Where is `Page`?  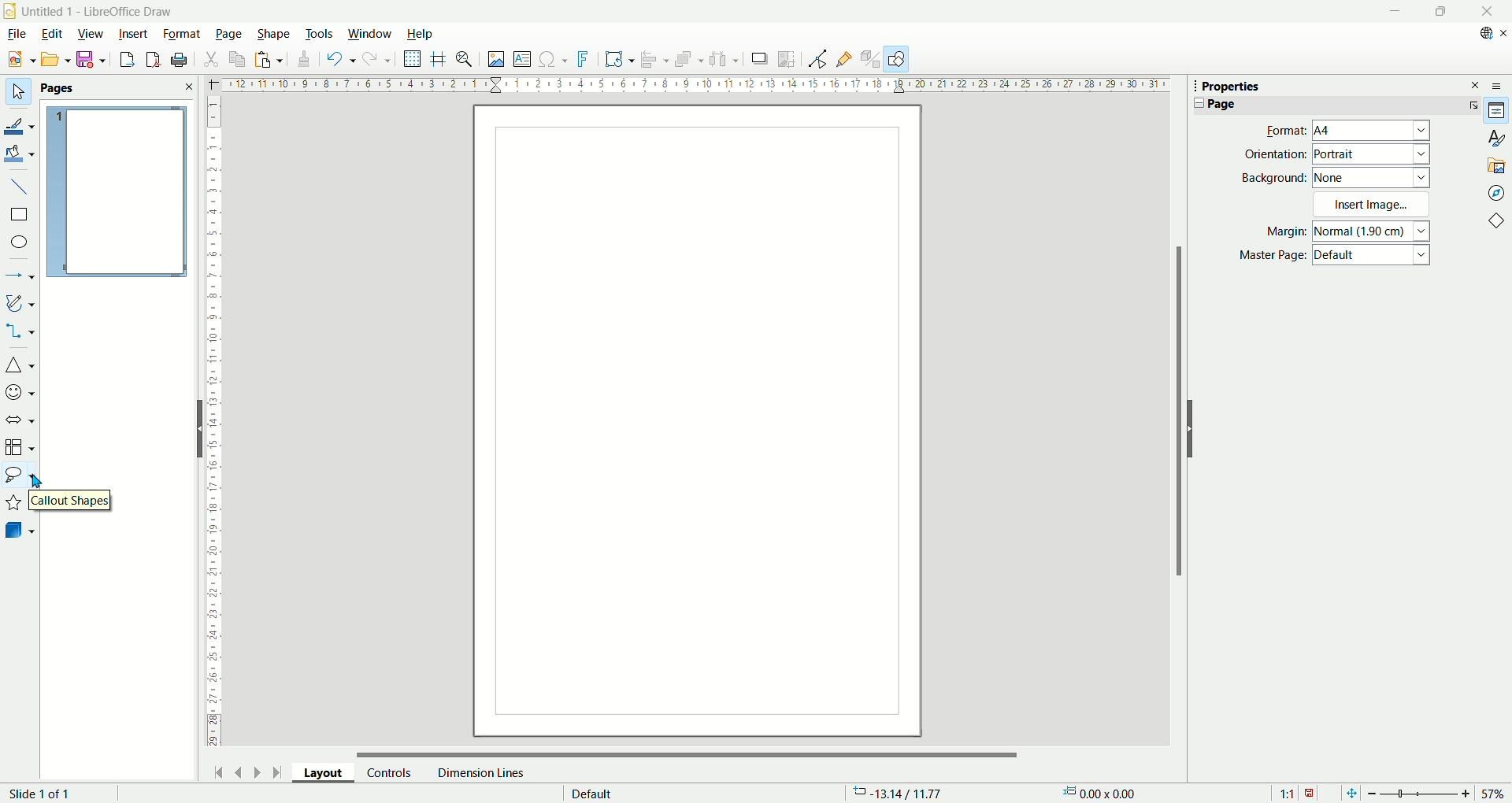
Page is located at coordinates (1221, 104).